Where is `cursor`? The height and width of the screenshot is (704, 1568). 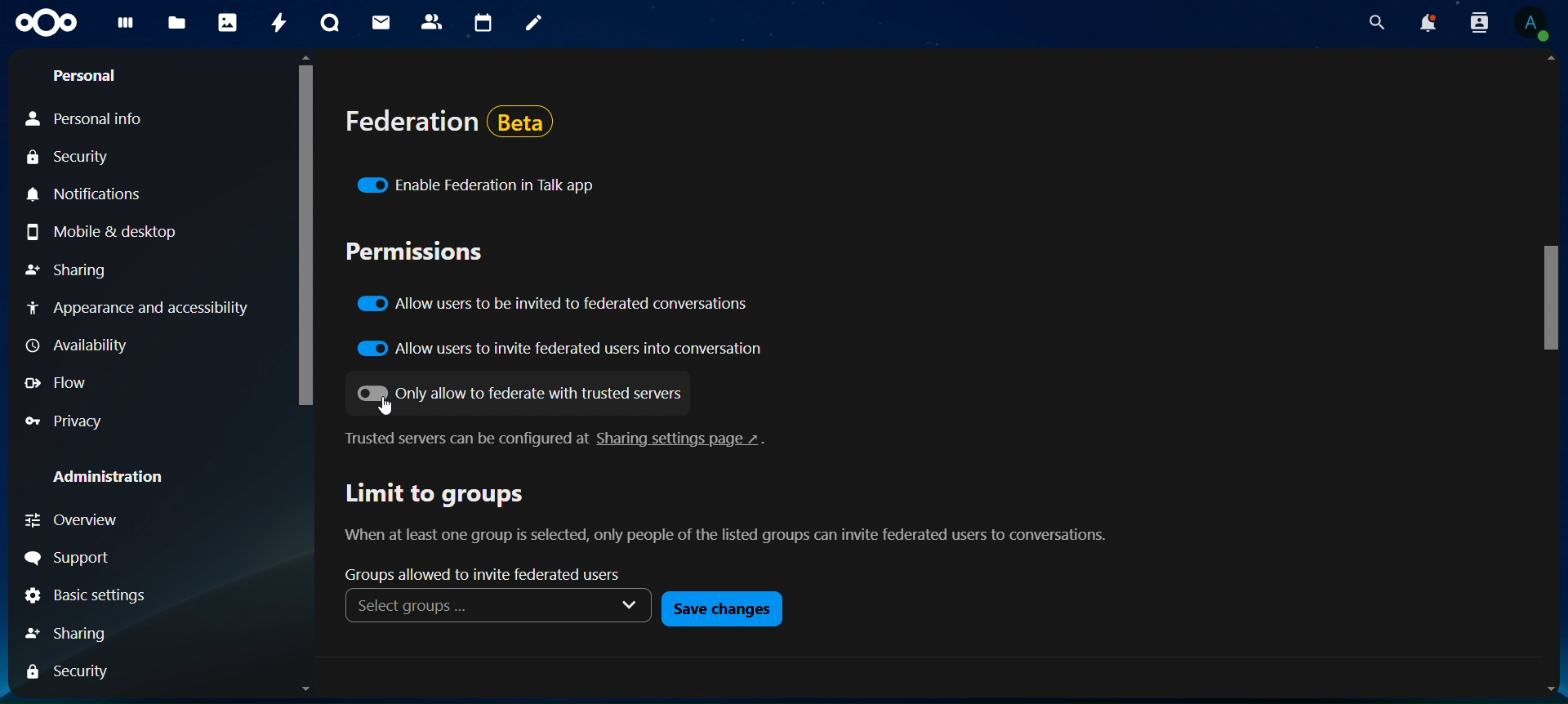 cursor is located at coordinates (385, 406).